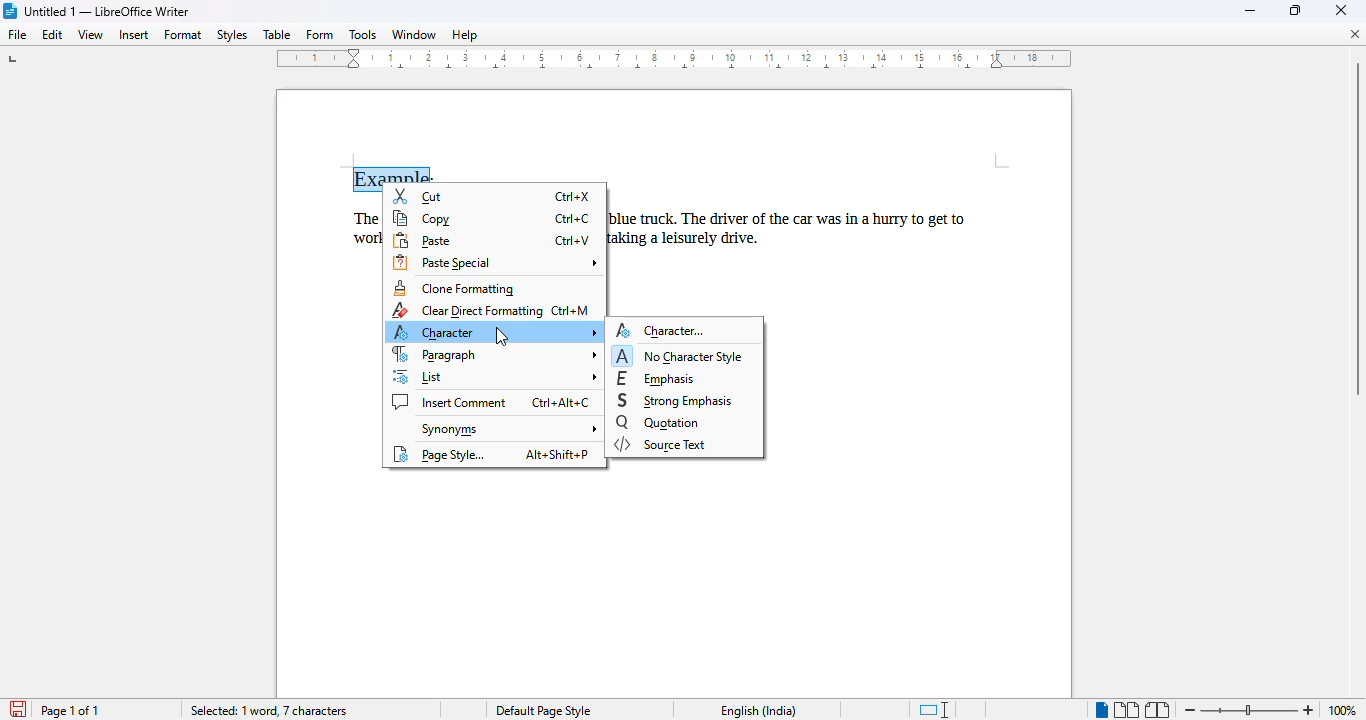 This screenshot has width=1366, height=720. What do you see at coordinates (676, 401) in the screenshot?
I see `strong emphasis` at bounding box center [676, 401].